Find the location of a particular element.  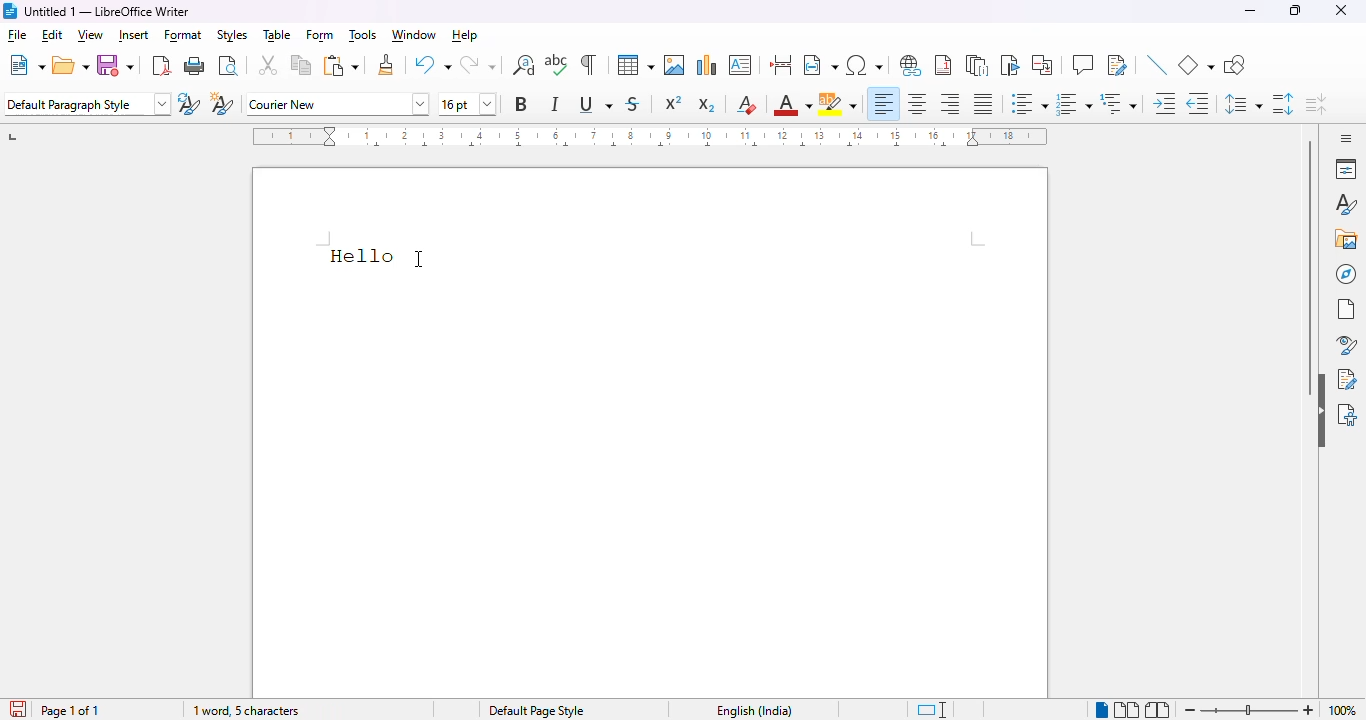

font style is located at coordinates (338, 103).